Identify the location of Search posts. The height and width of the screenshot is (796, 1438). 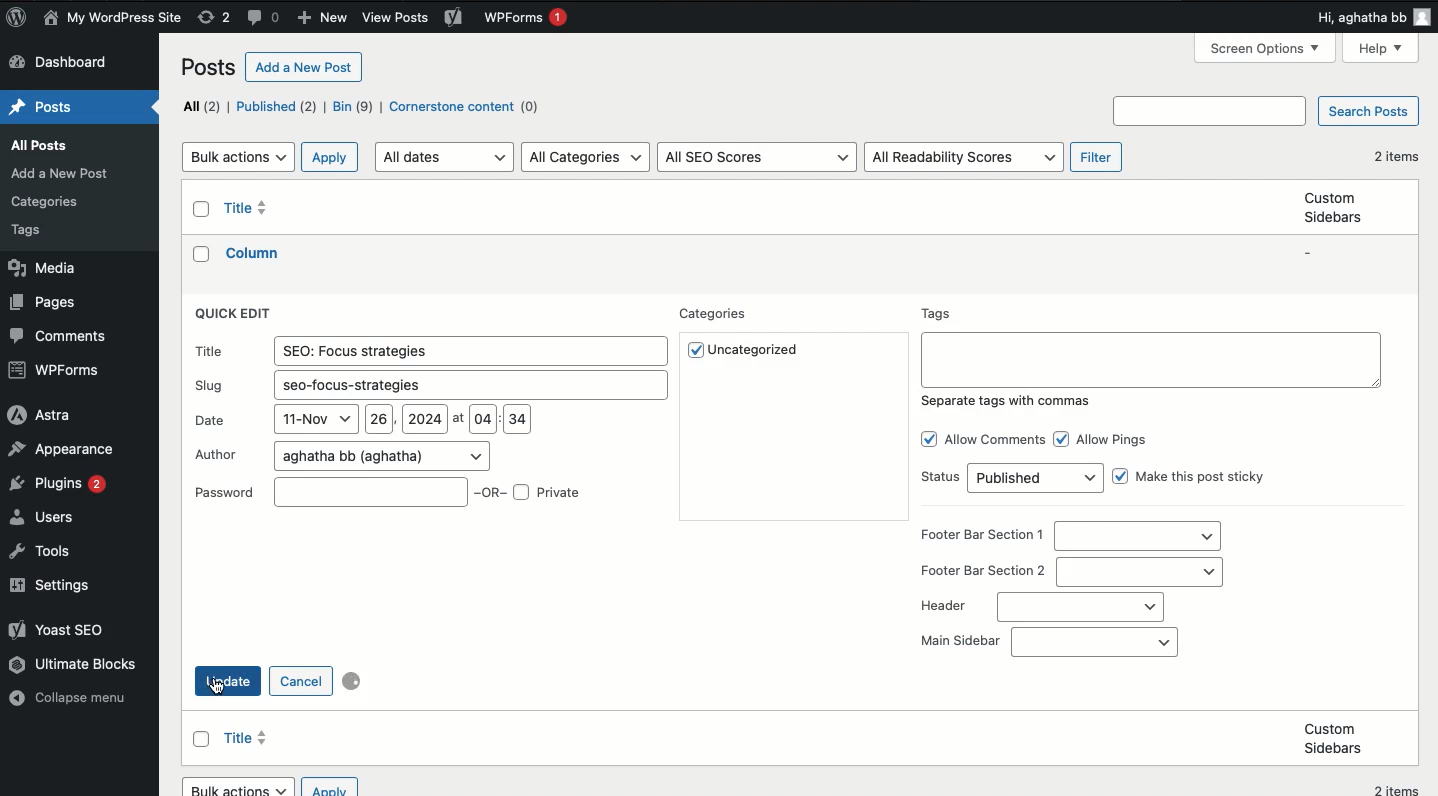
(1366, 113).